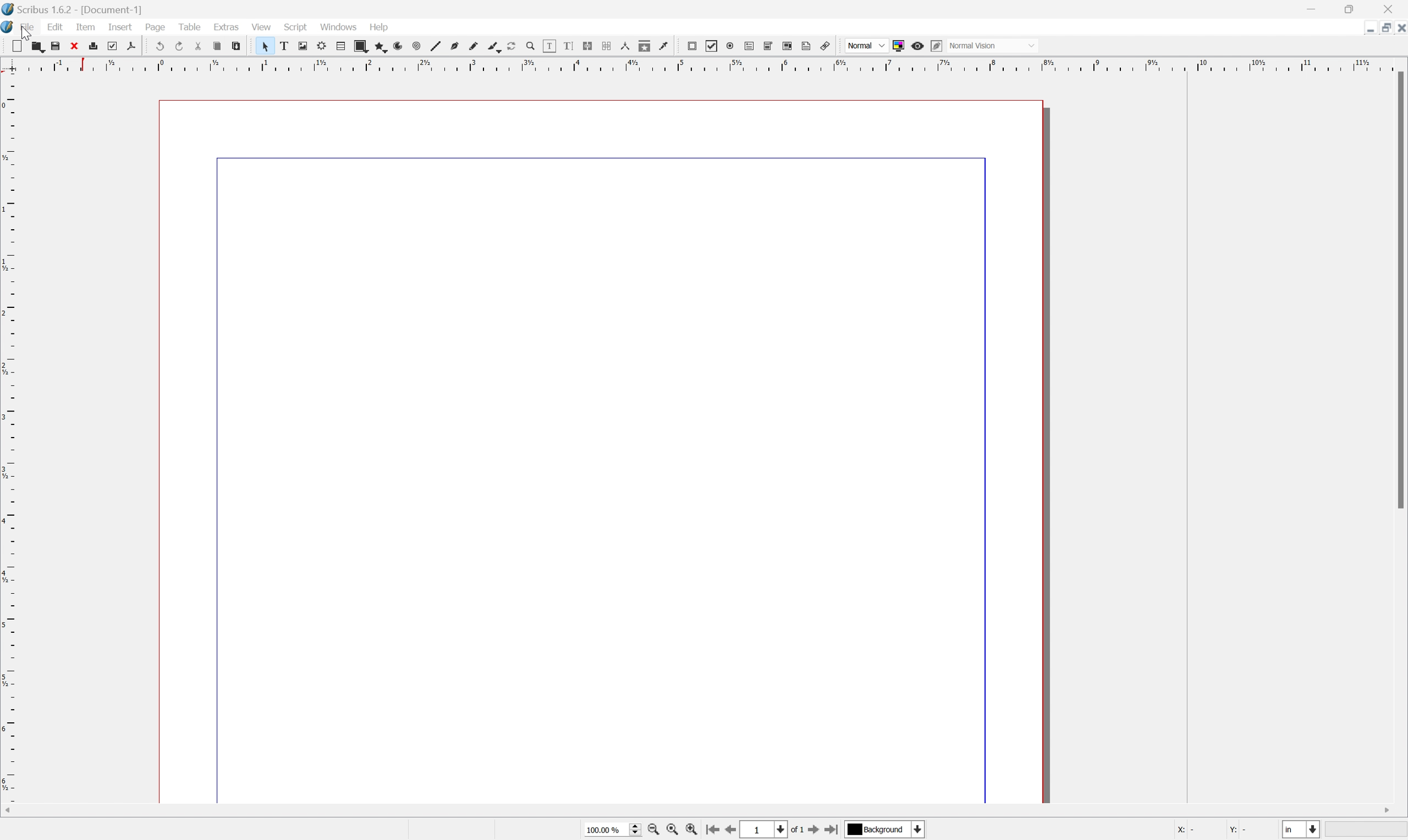 The width and height of the screenshot is (1408, 840). I want to click on View, so click(260, 27).